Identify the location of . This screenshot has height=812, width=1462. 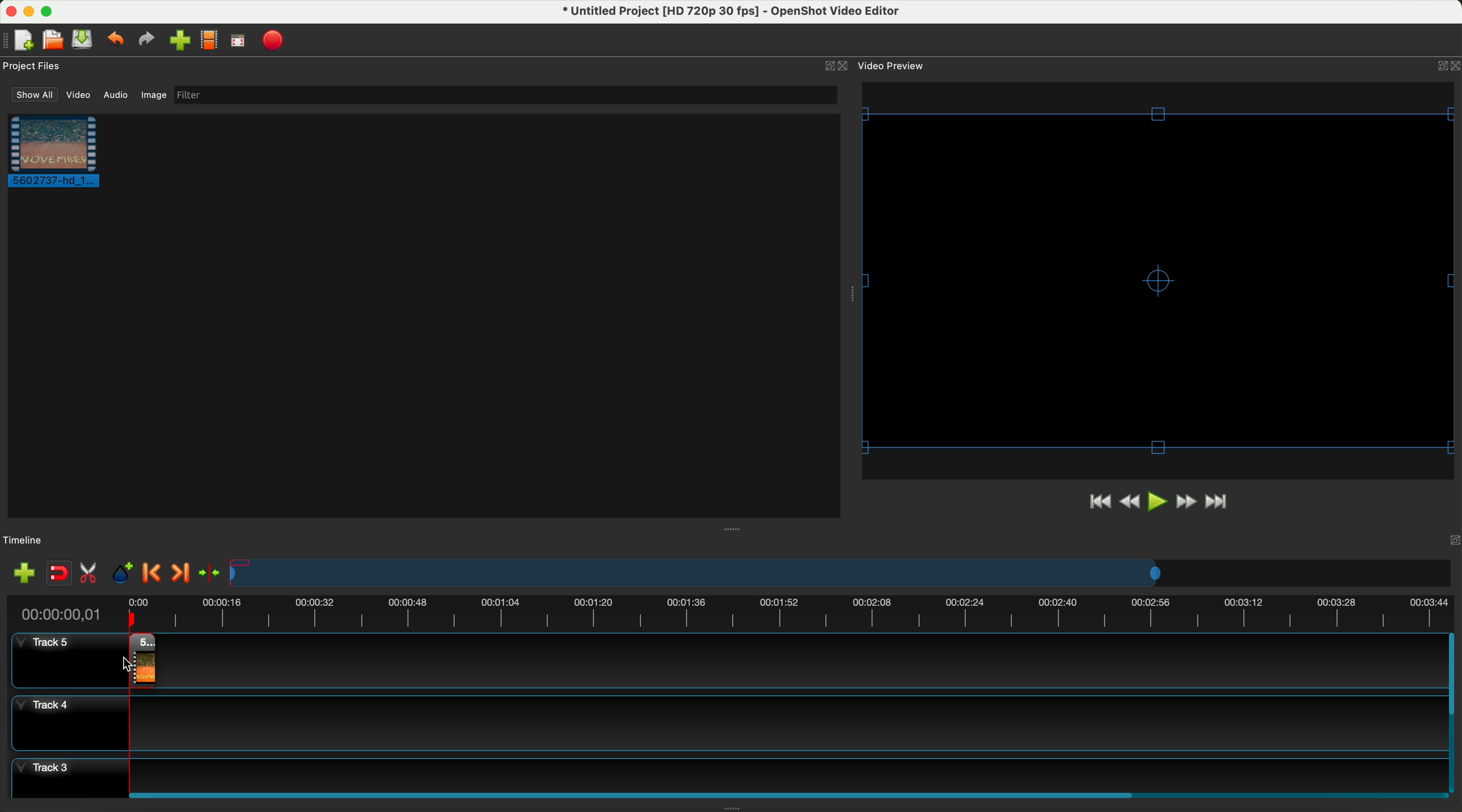
(1444, 64).